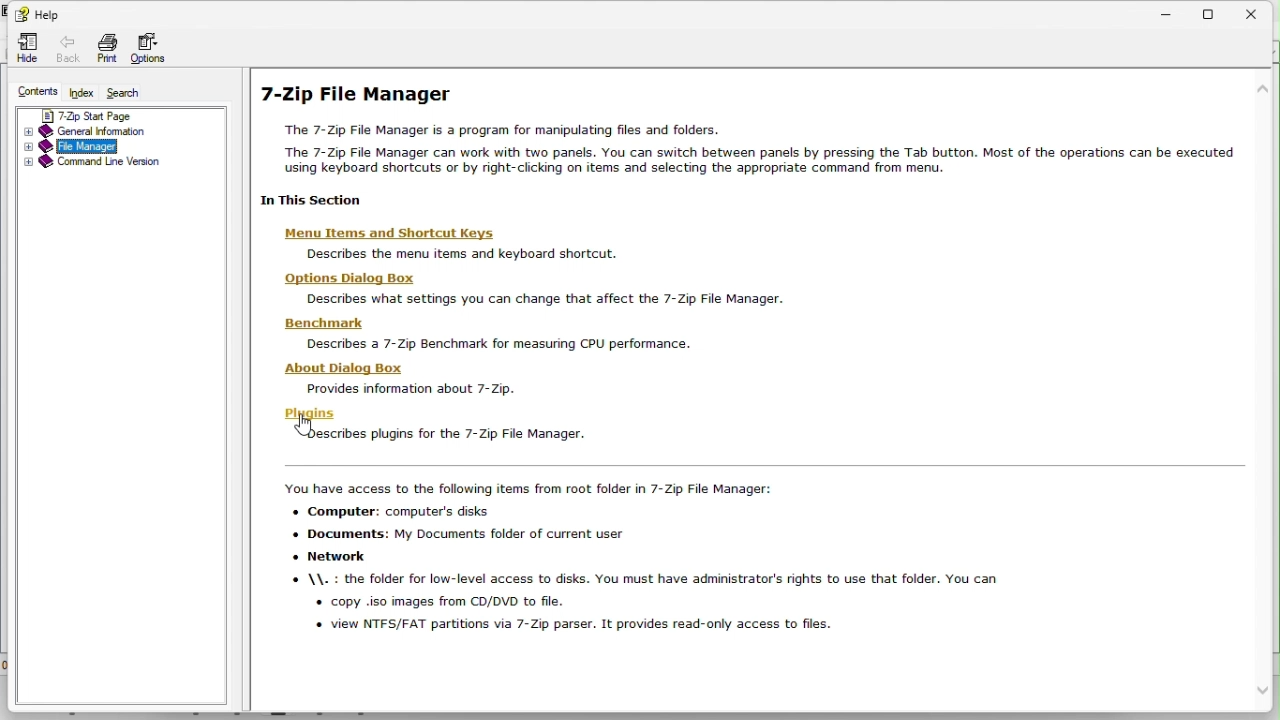  What do you see at coordinates (1262, 11) in the screenshot?
I see `Close` at bounding box center [1262, 11].